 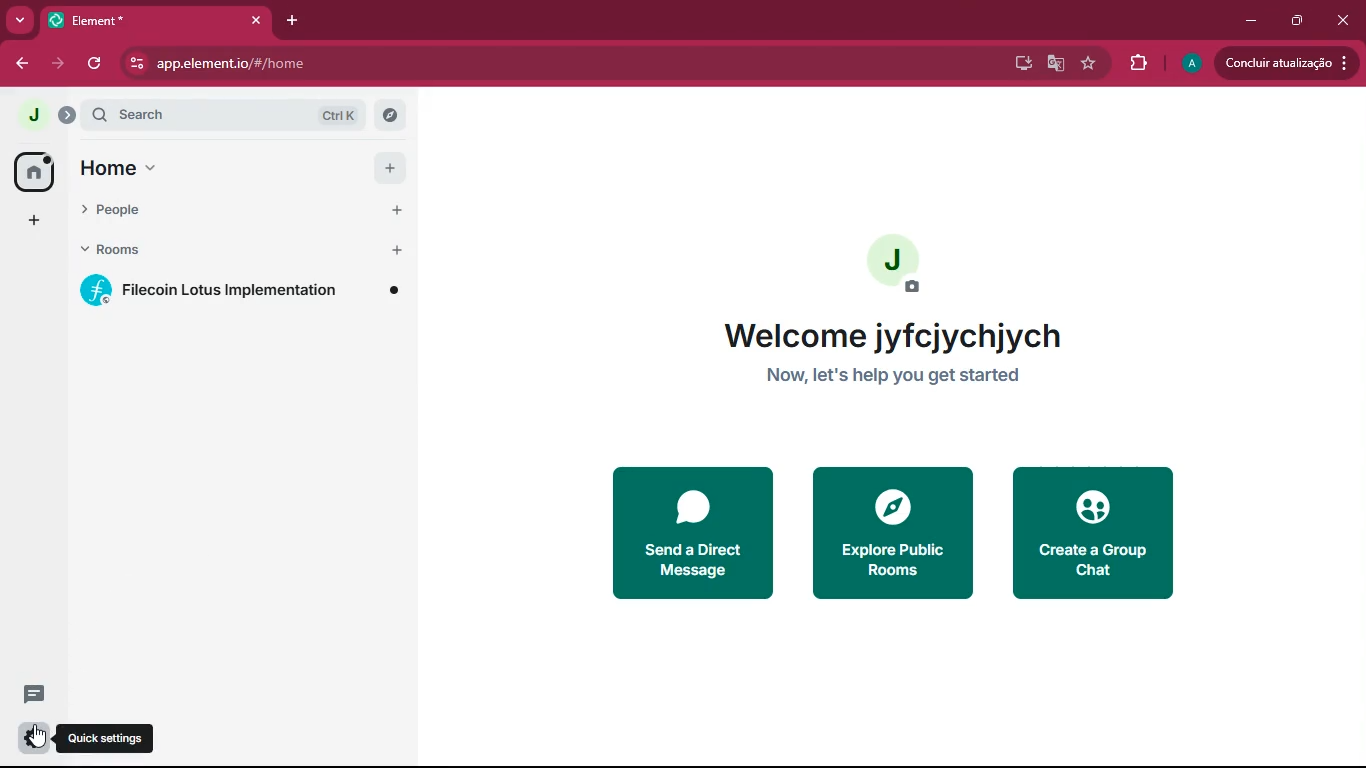 I want to click on Explore Public Rooms, so click(x=889, y=537).